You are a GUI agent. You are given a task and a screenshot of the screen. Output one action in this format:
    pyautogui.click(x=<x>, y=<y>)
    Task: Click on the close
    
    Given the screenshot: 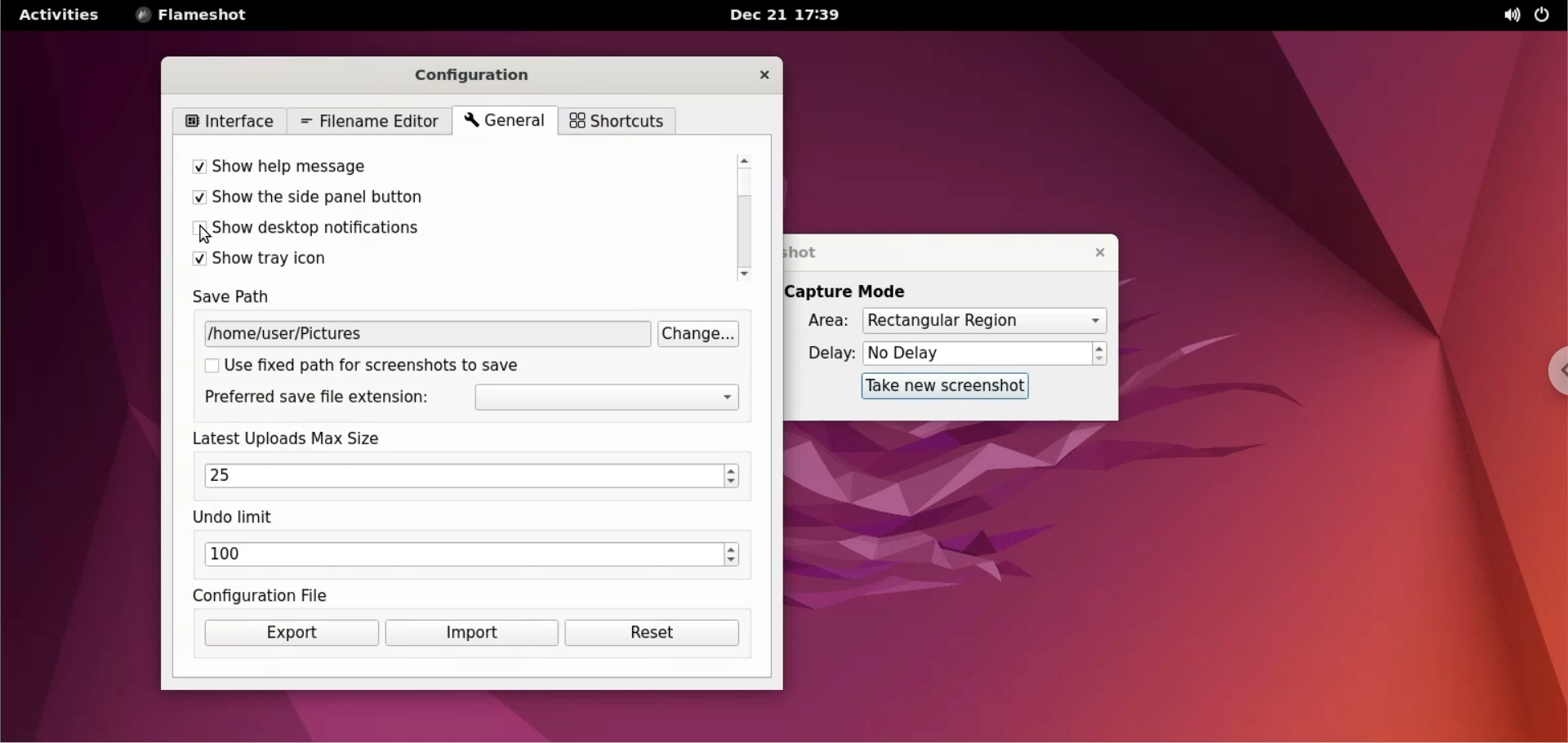 What is the action you would take?
    pyautogui.click(x=1091, y=251)
    